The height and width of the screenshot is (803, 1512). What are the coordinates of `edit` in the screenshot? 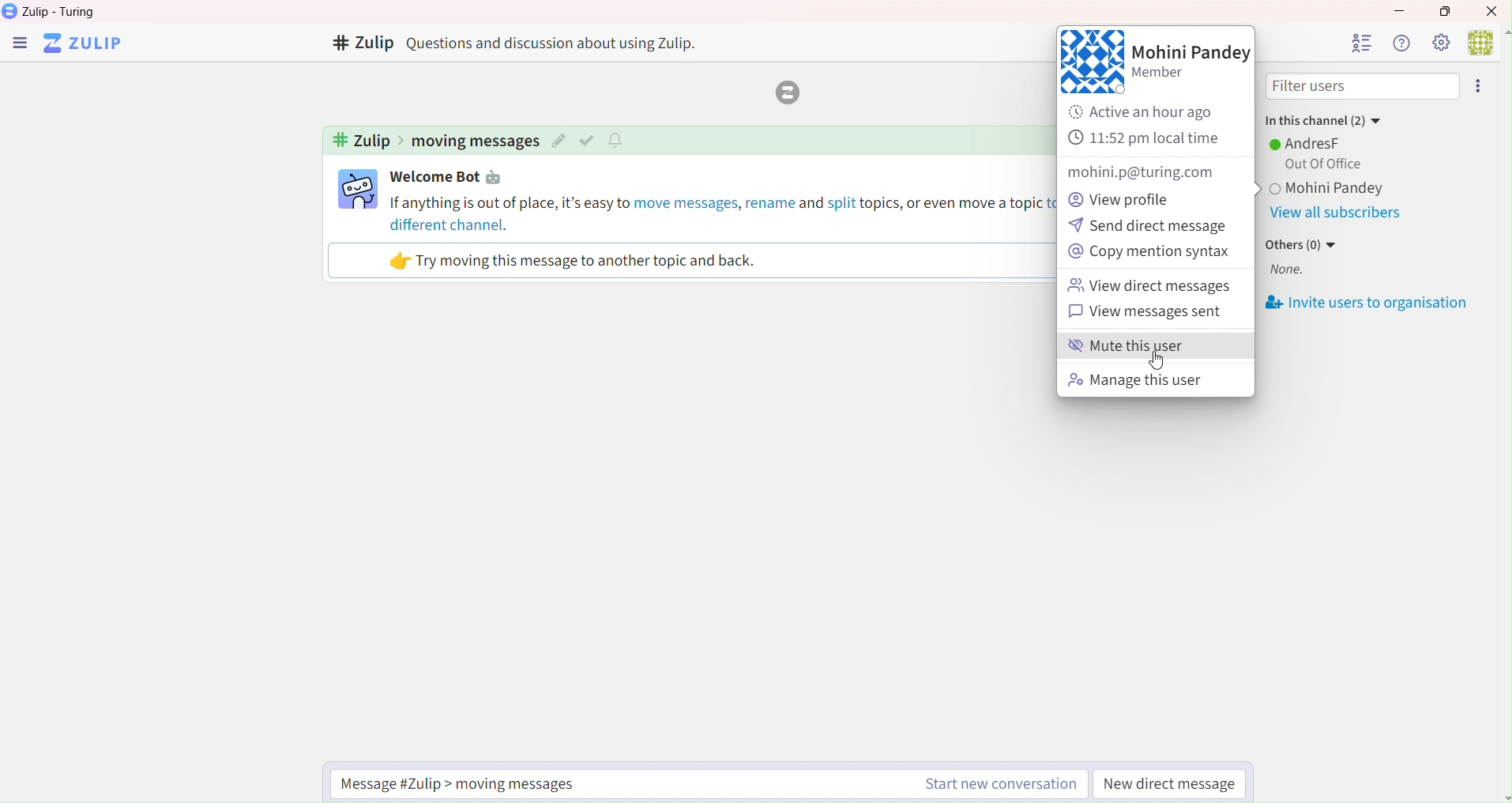 It's located at (559, 141).